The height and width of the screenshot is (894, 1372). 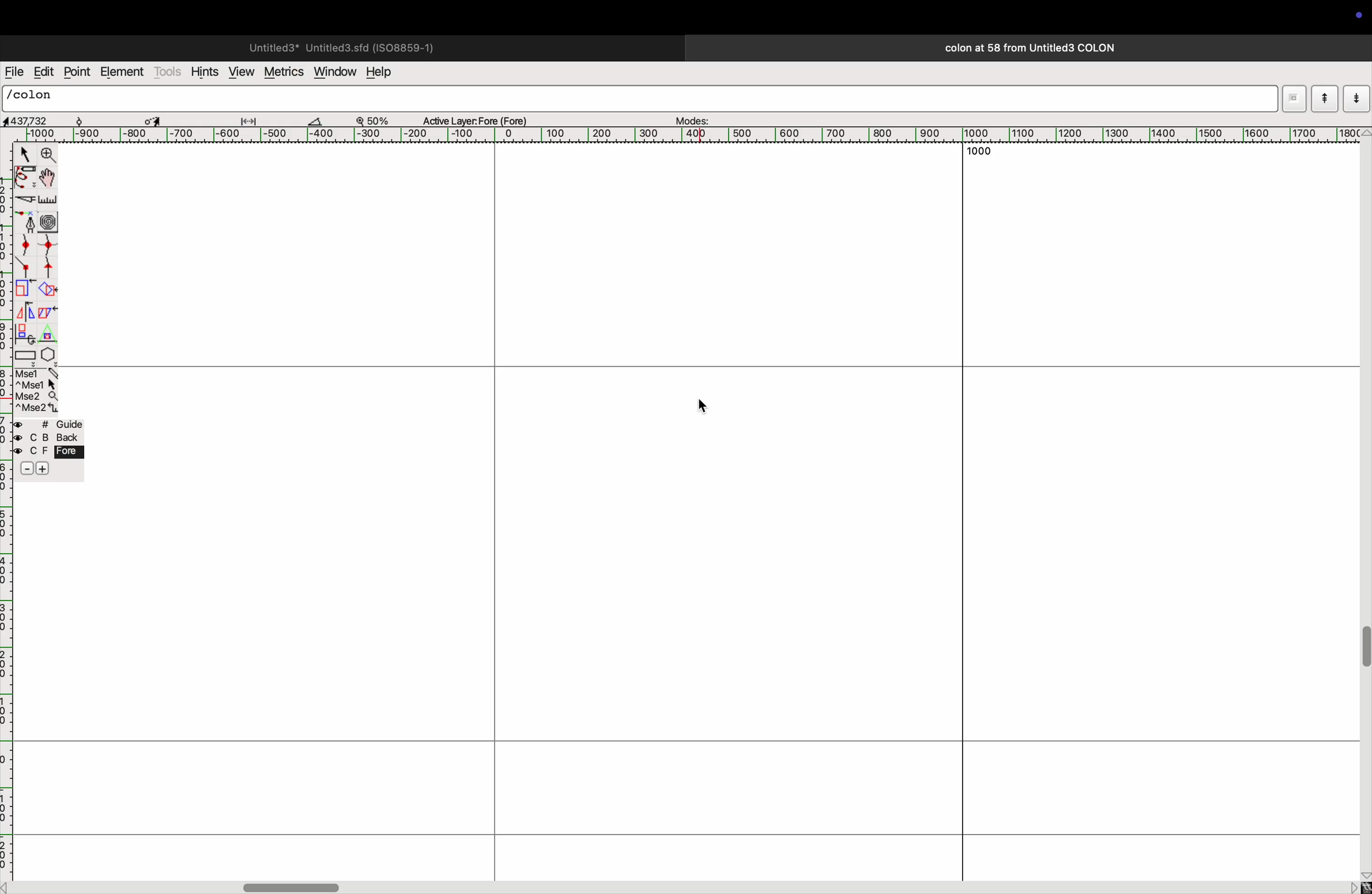 I want to click on mirror, so click(x=28, y=311).